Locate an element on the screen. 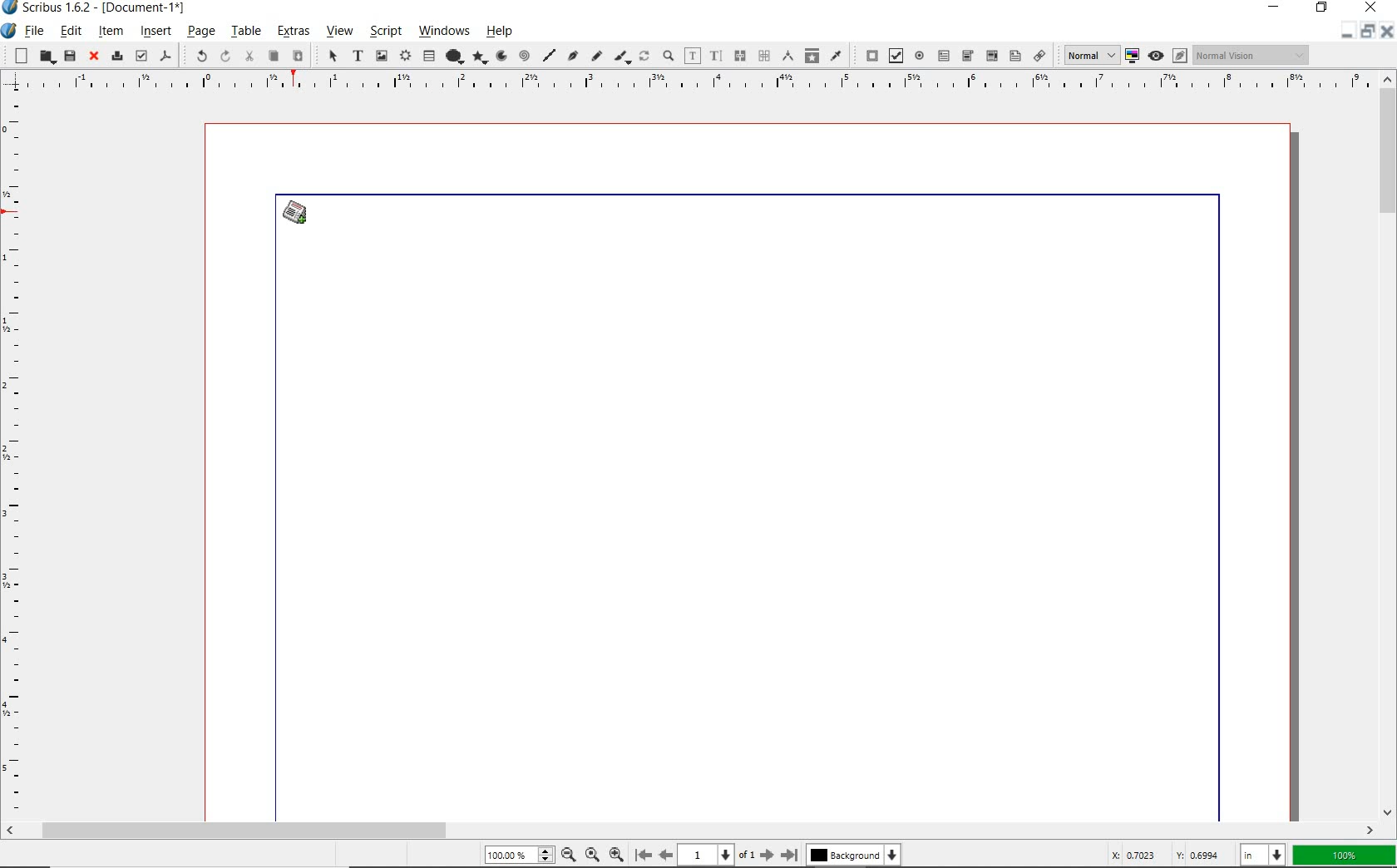  undo is located at coordinates (198, 56).